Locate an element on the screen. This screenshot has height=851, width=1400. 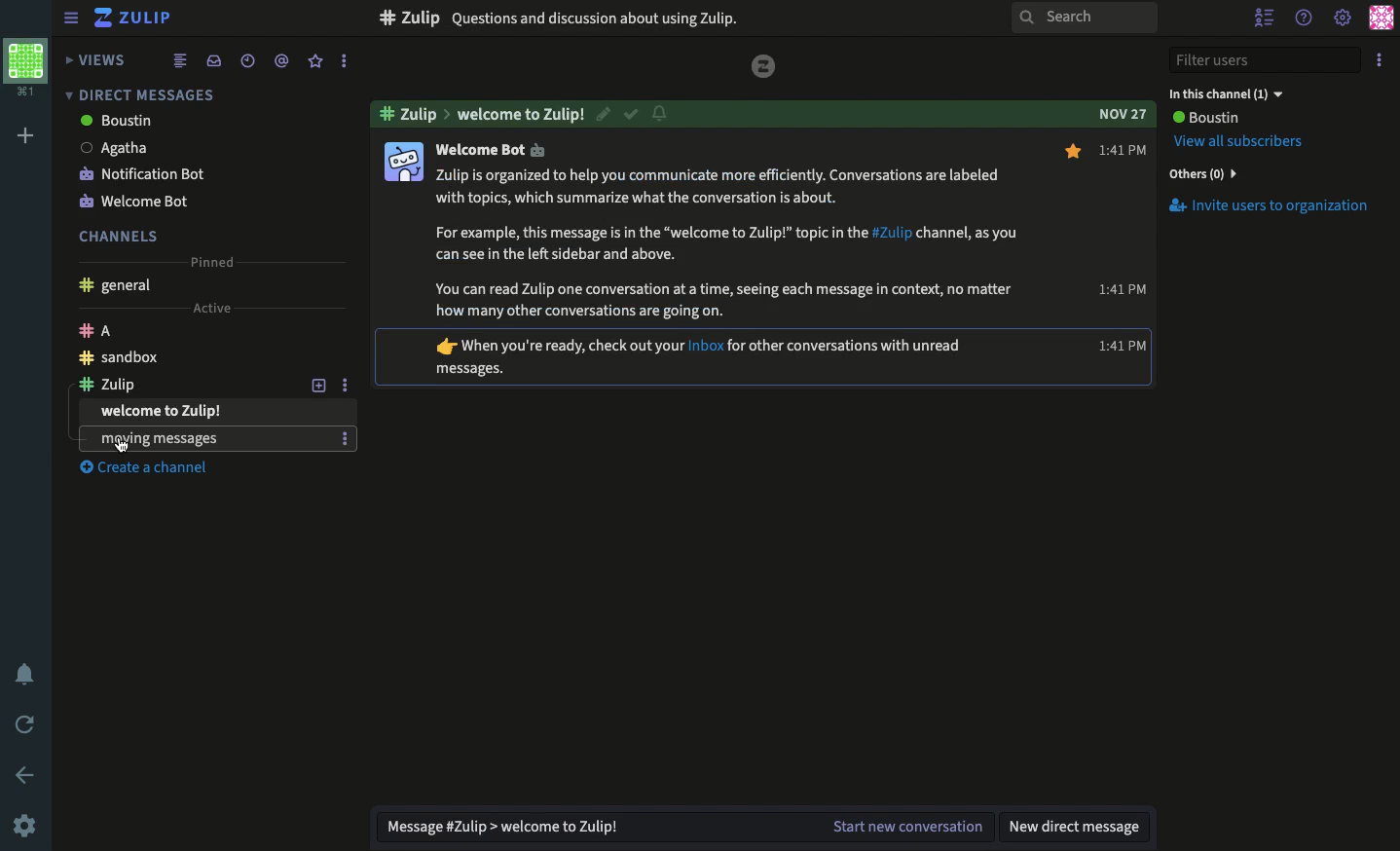
Refresh is located at coordinates (26, 722).